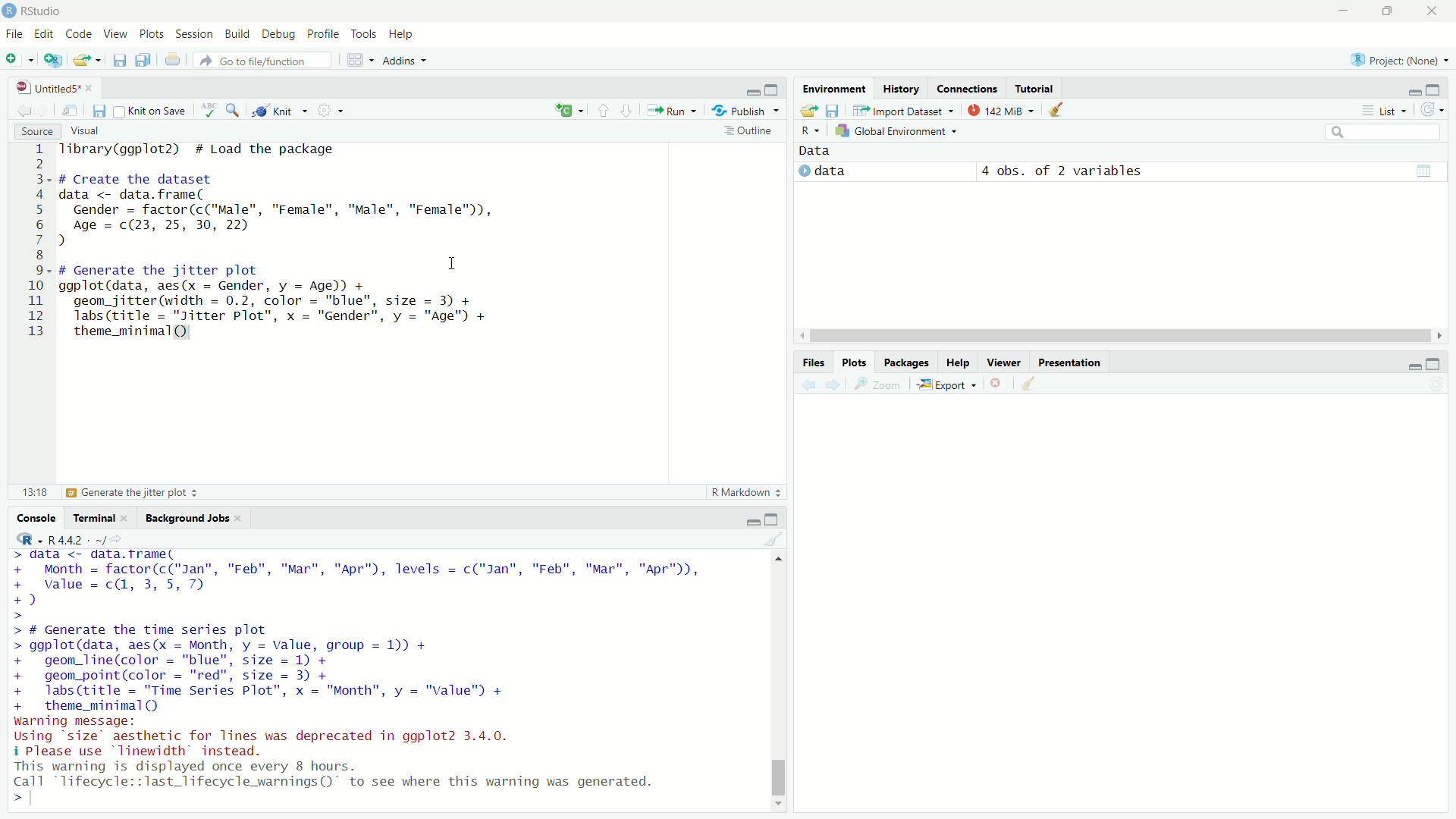  What do you see at coordinates (1341, 9) in the screenshot?
I see `minimize` at bounding box center [1341, 9].